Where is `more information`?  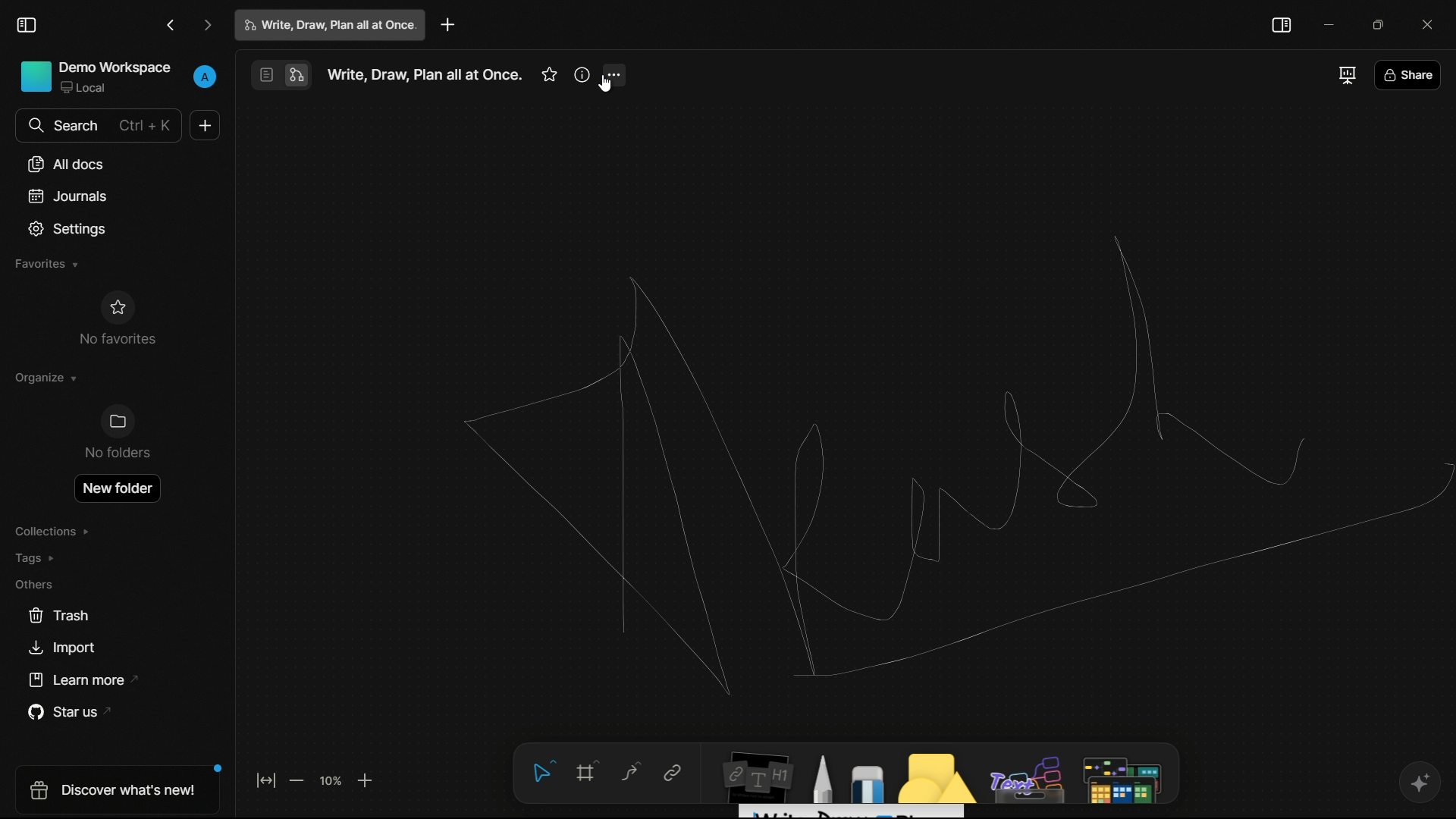
more information is located at coordinates (582, 76).